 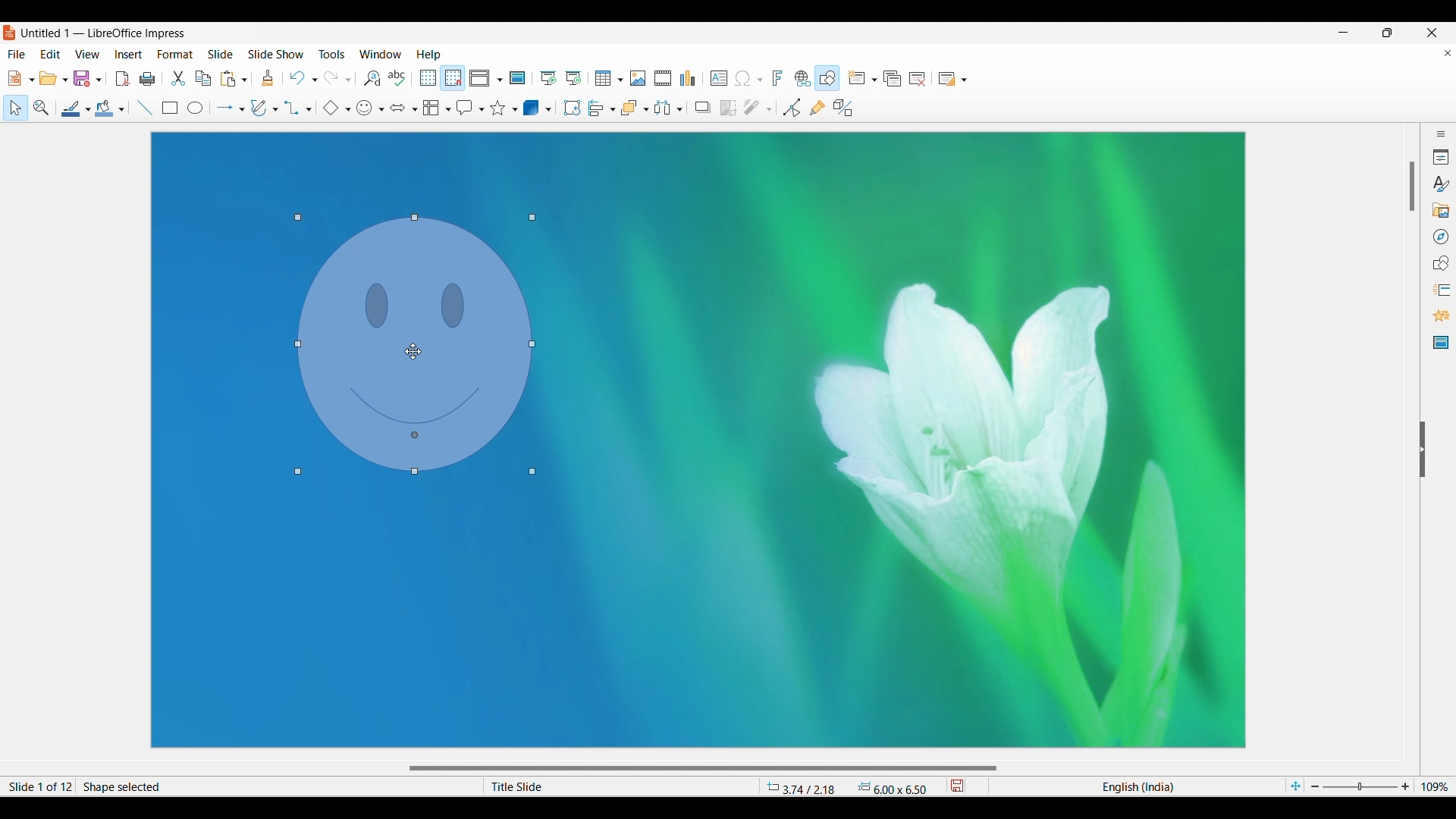 What do you see at coordinates (647, 109) in the screenshot?
I see `Arrange options` at bounding box center [647, 109].